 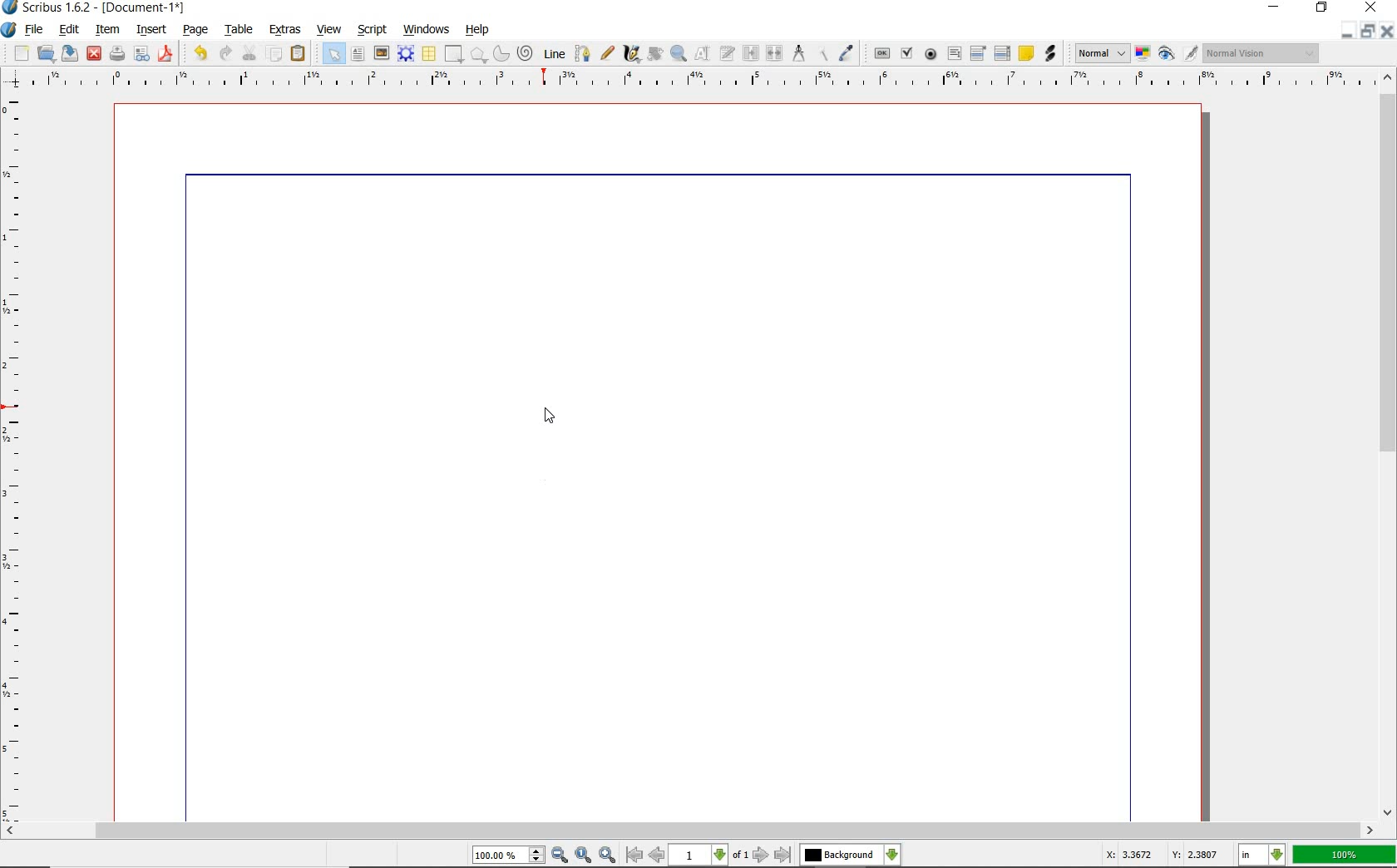 What do you see at coordinates (584, 855) in the screenshot?
I see `Zoom to 100%` at bounding box center [584, 855].